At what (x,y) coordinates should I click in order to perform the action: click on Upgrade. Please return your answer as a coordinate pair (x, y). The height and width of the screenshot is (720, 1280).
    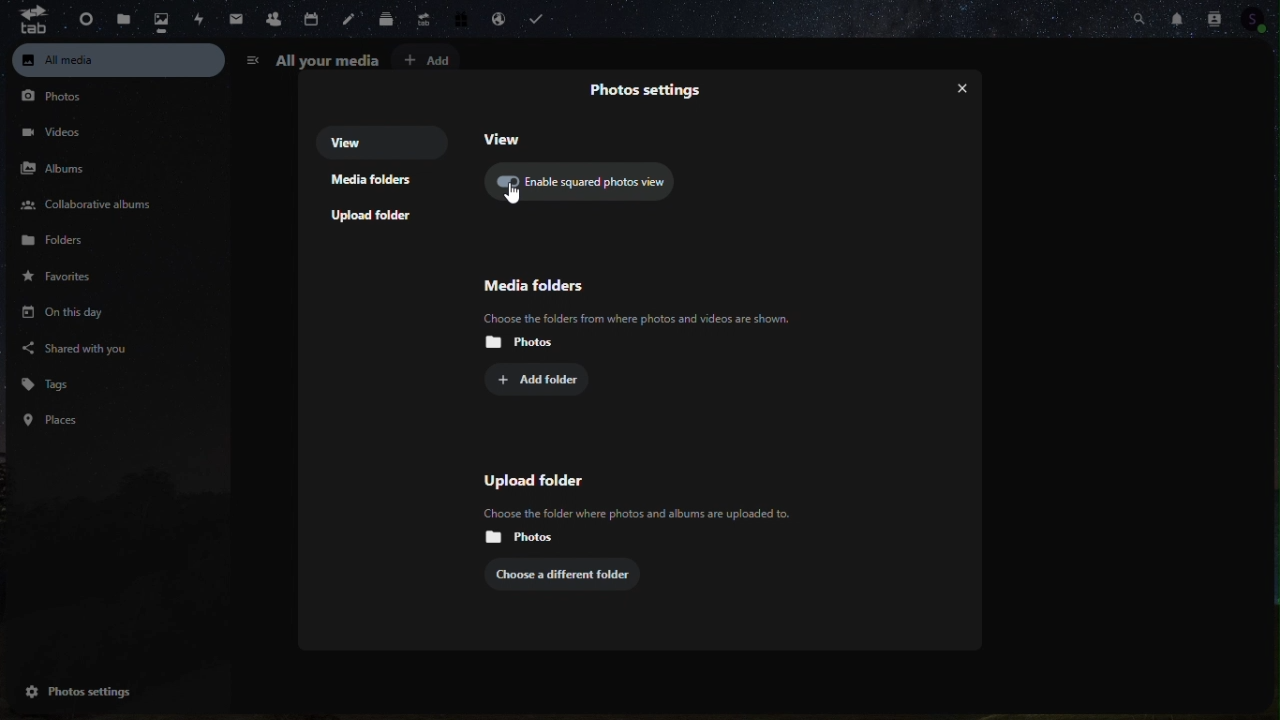
    Looking at the image, I should click on (423, 21).